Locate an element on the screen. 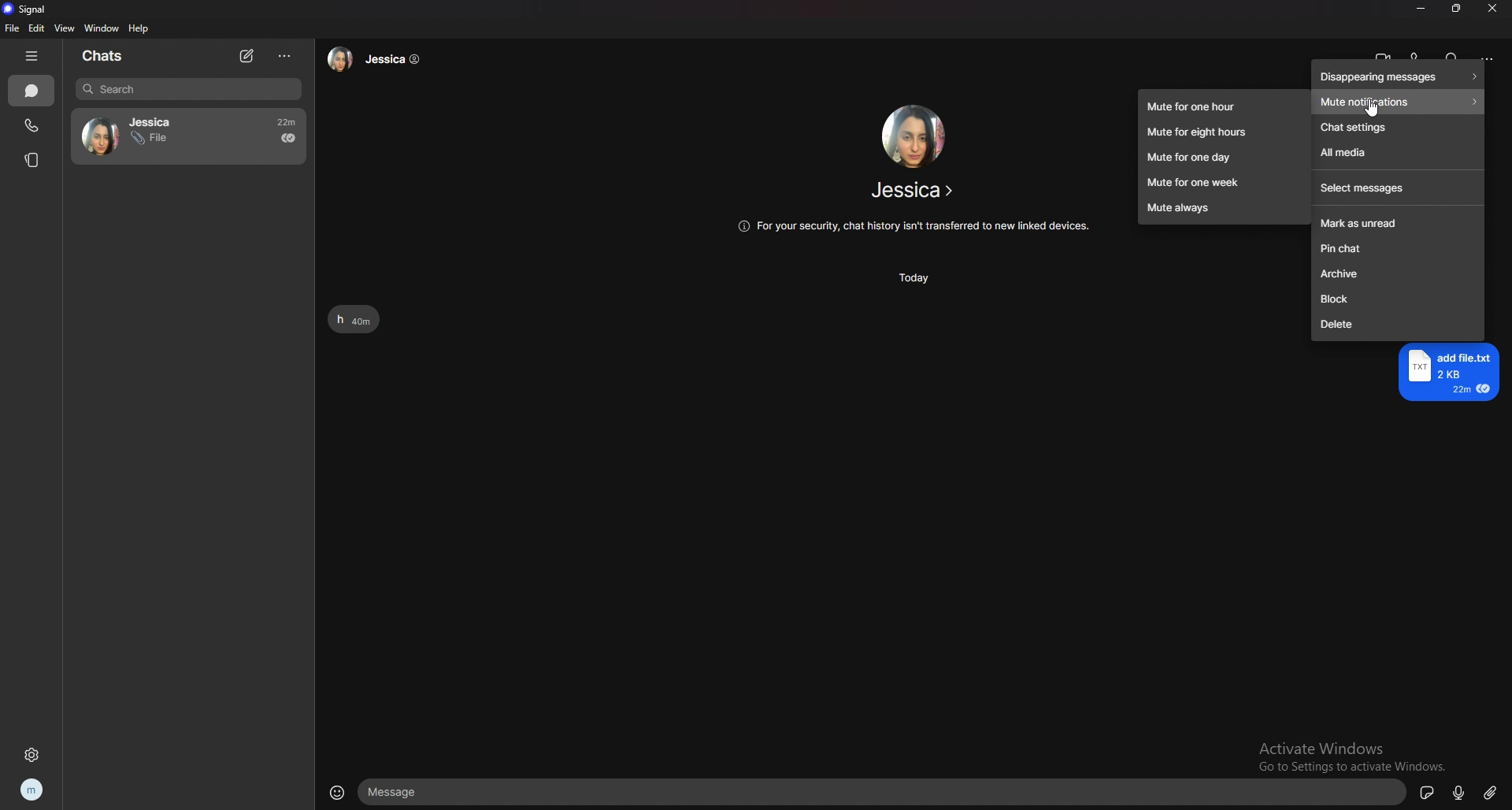 The width and height of the screenshot is (1512, 810). chats is located at coordinates (109, 57).